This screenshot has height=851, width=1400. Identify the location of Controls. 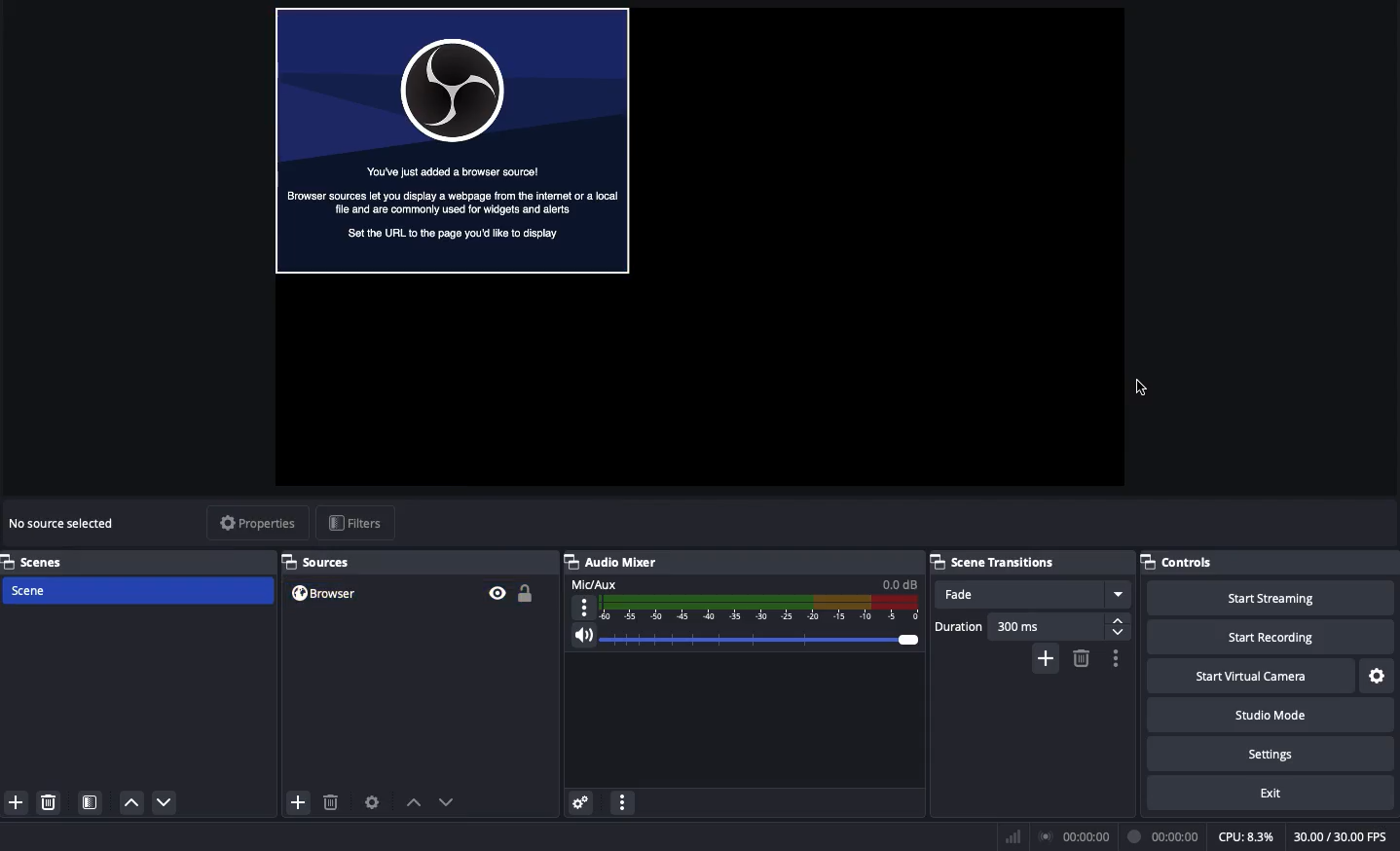
(1179, 562).